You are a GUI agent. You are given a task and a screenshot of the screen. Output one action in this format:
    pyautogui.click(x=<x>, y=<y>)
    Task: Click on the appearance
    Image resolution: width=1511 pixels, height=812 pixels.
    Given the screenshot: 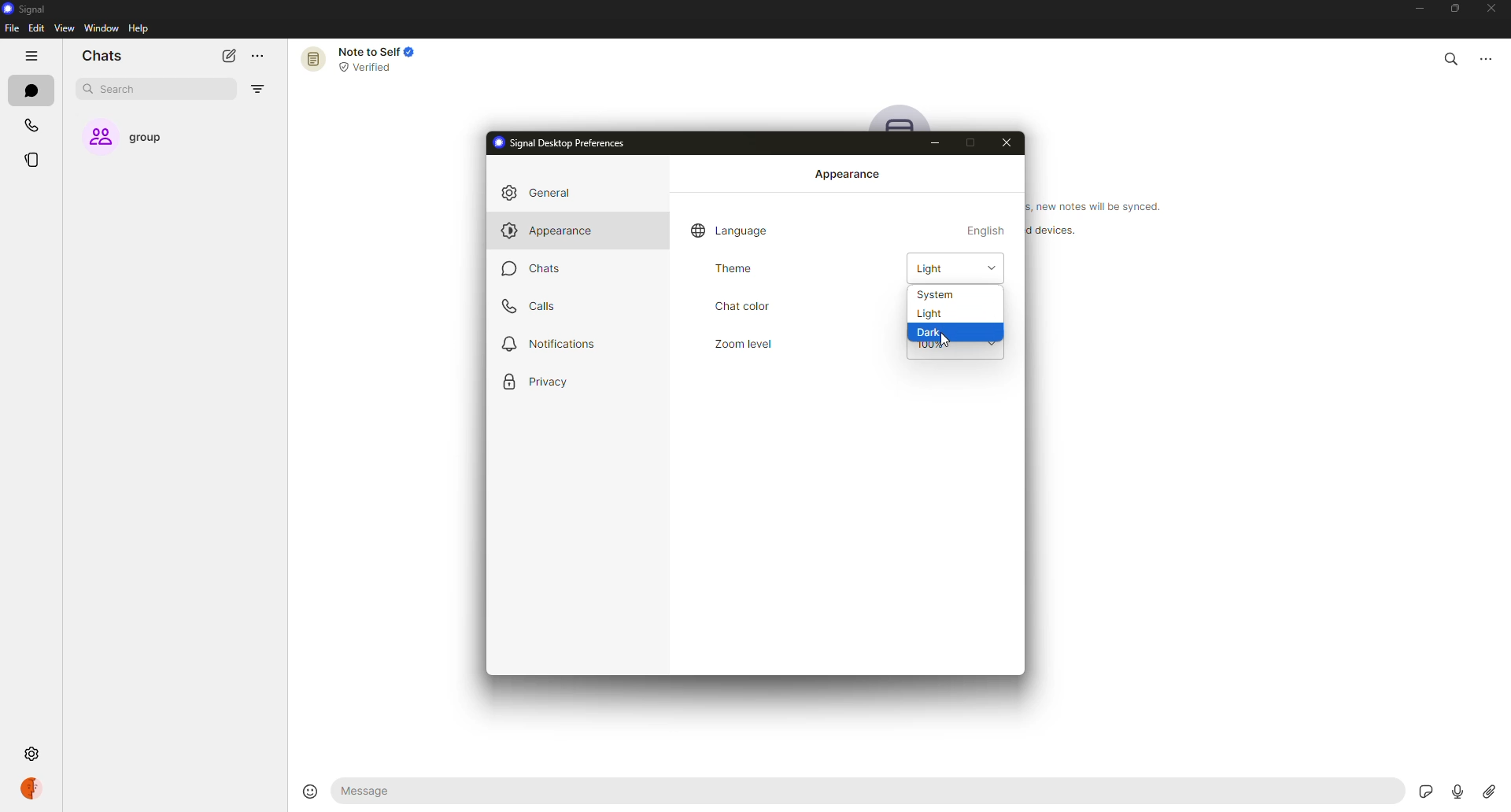 What is the action you would take?
    pyautogui.click(x=850, y=175)
    